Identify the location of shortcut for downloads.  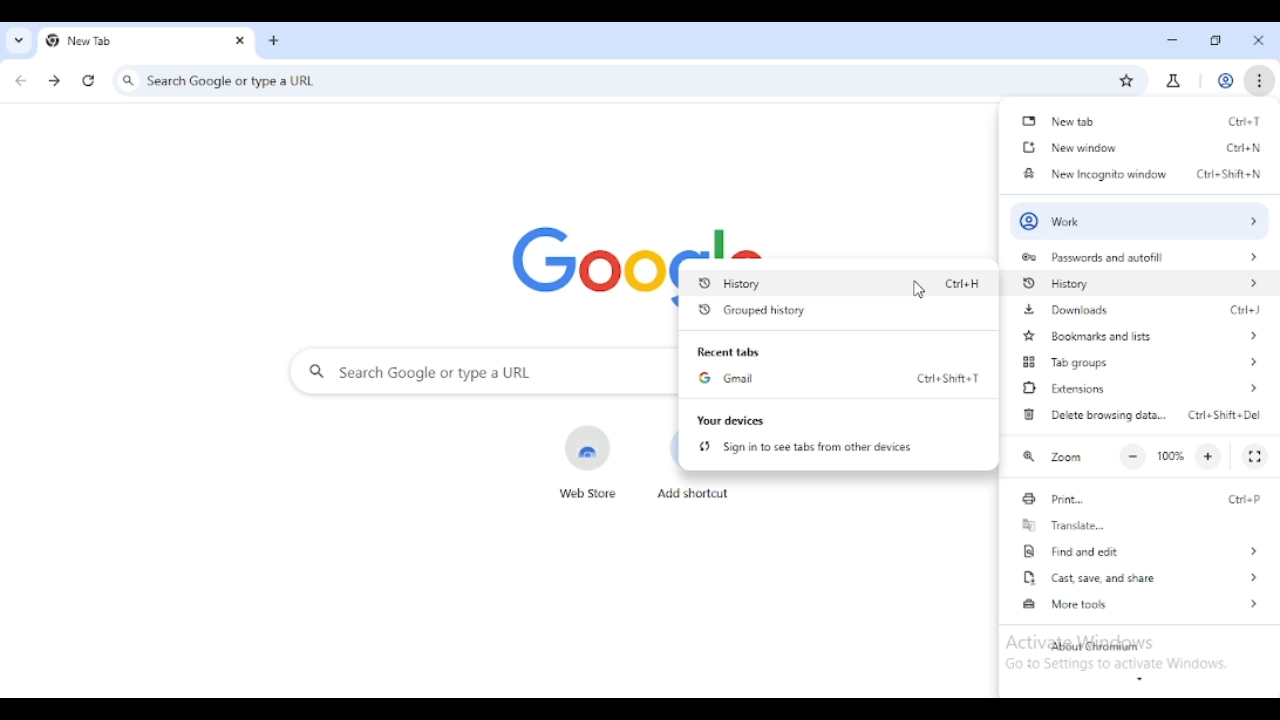
(1246, 309).